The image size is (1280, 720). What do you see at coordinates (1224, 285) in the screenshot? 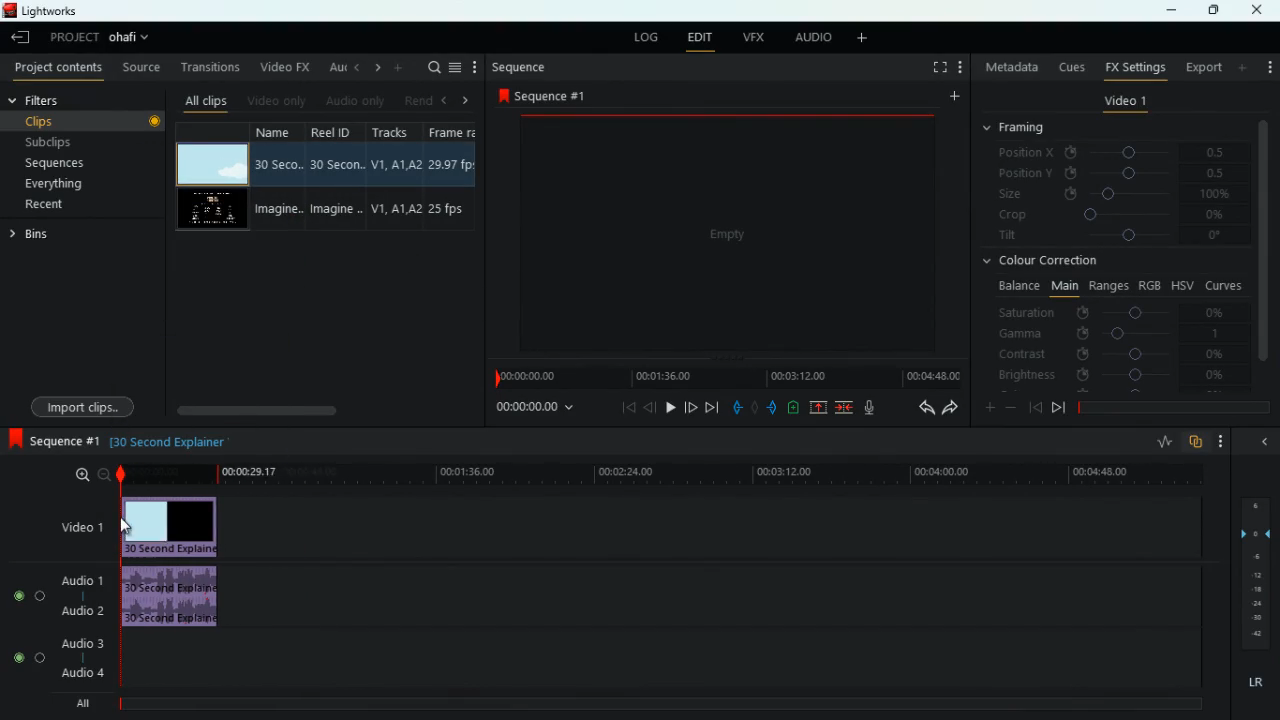
I see `curves` at bounding box center [1224, 285].